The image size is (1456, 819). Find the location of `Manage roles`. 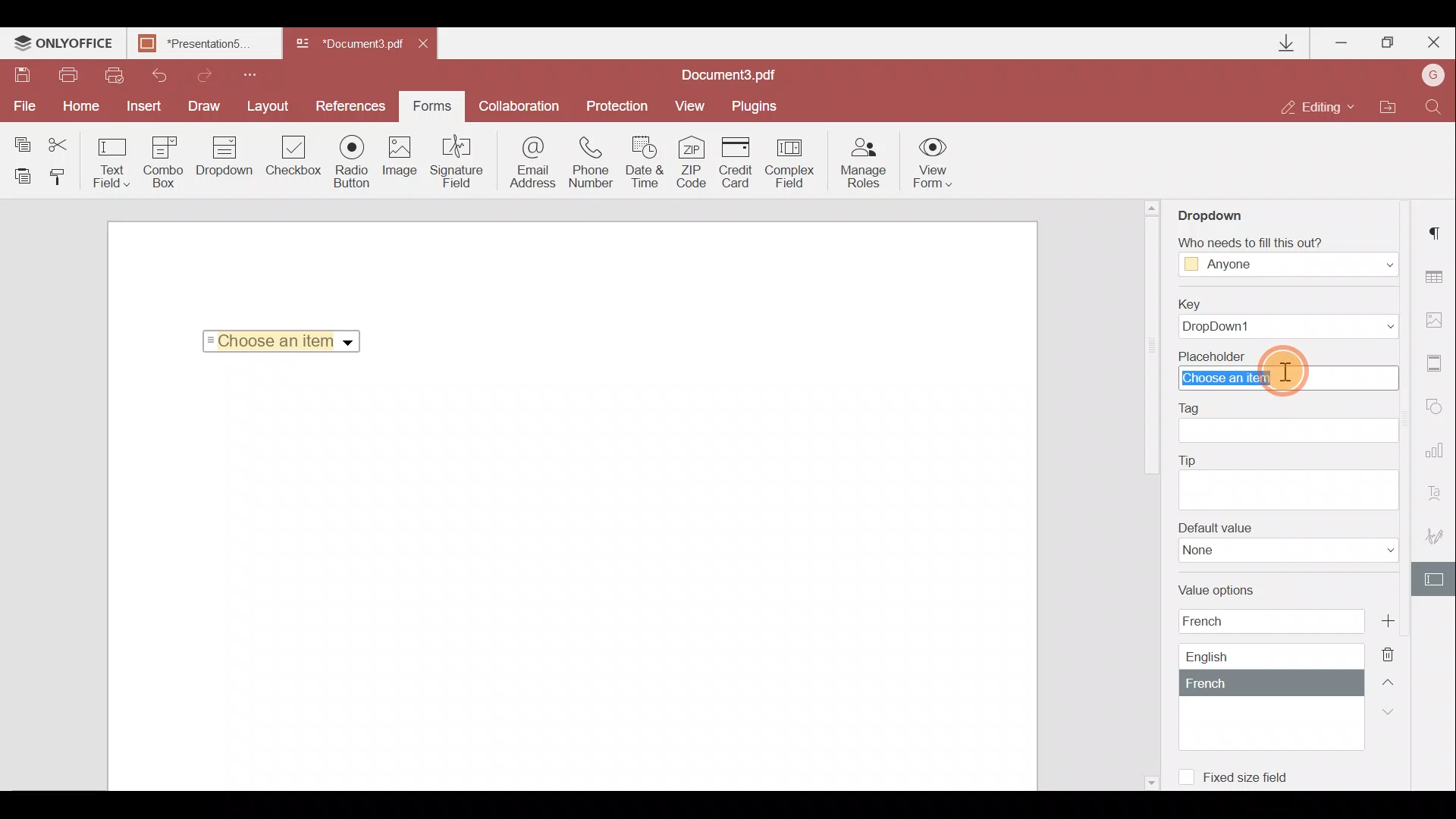

Manage roles is located at coordinates (863, 163).